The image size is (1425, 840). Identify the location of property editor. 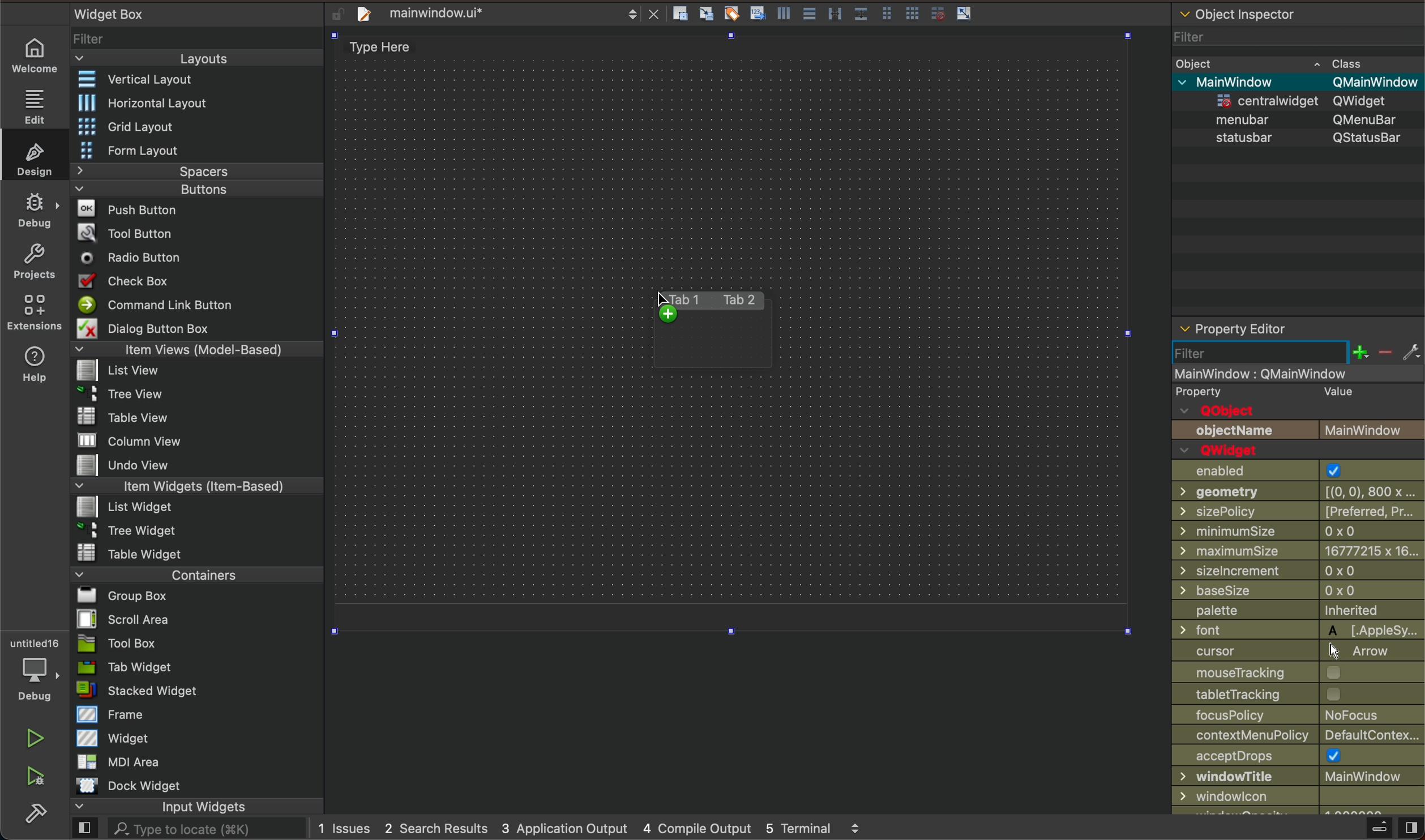
(1286, 326).